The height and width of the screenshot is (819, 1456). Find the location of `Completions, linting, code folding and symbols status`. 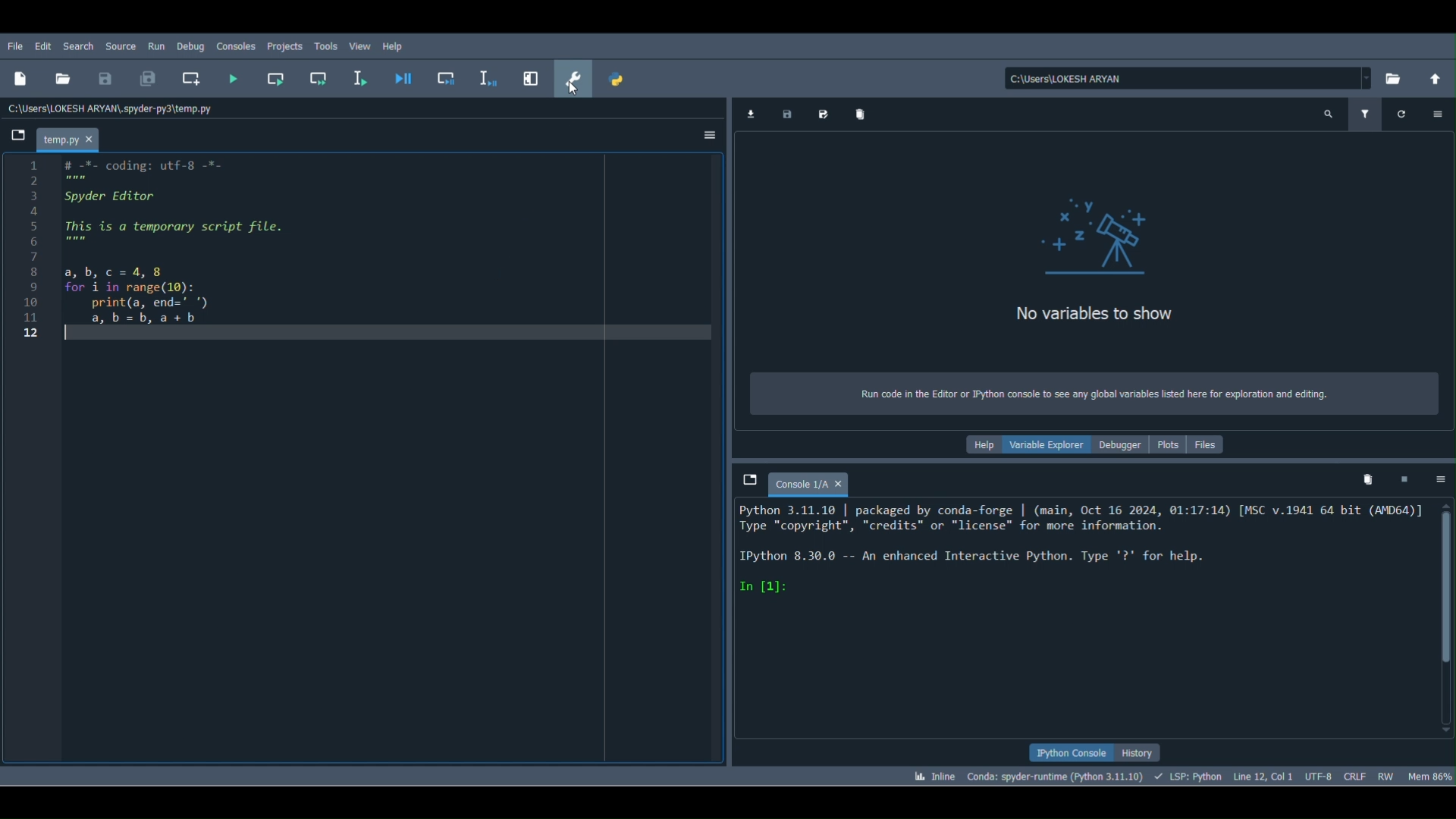

Completions, linting, code folding and symbols status is located at coordinates (1191, 776).